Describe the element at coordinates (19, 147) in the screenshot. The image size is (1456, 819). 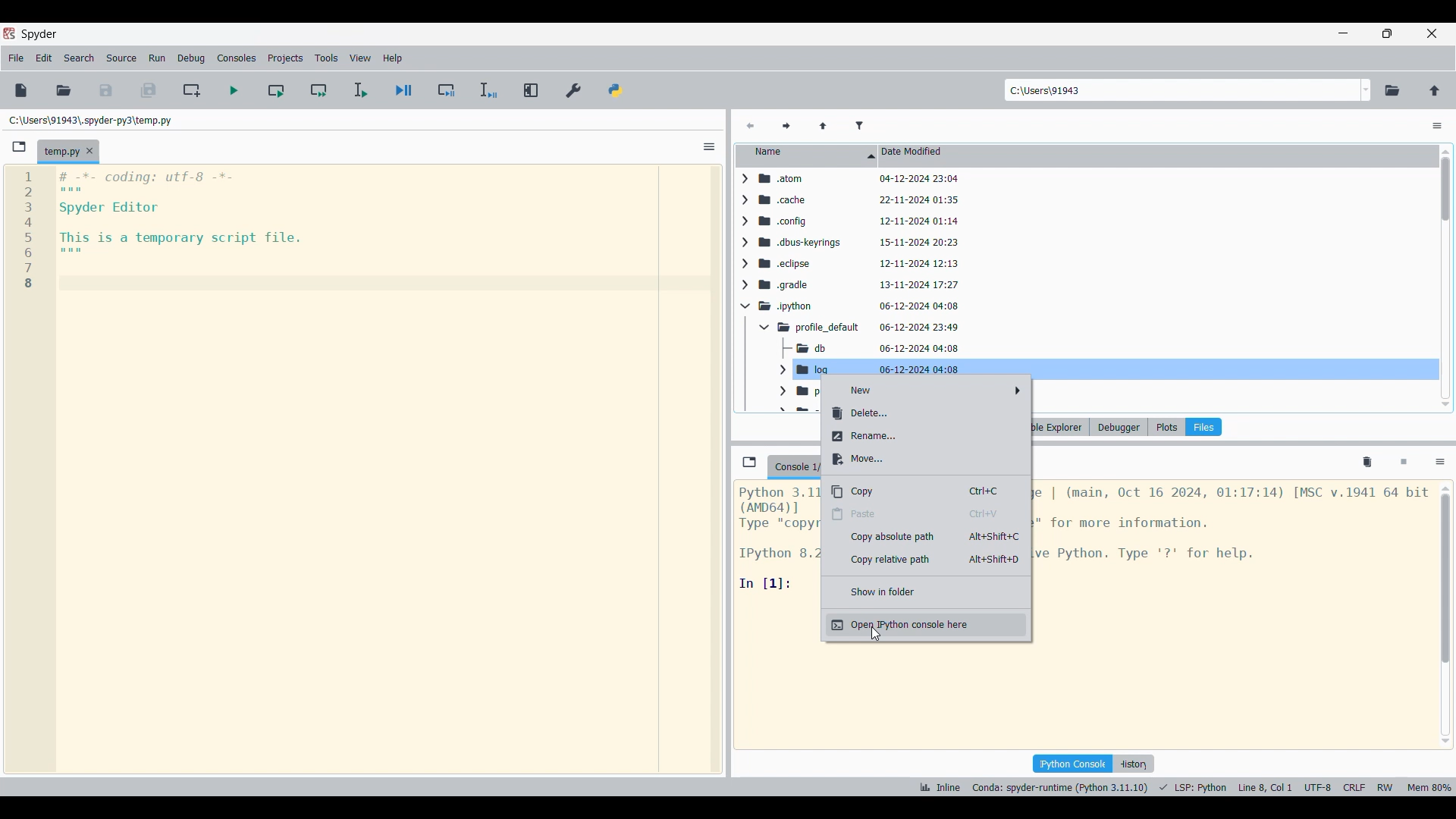
I see `Browse tab` at that location.